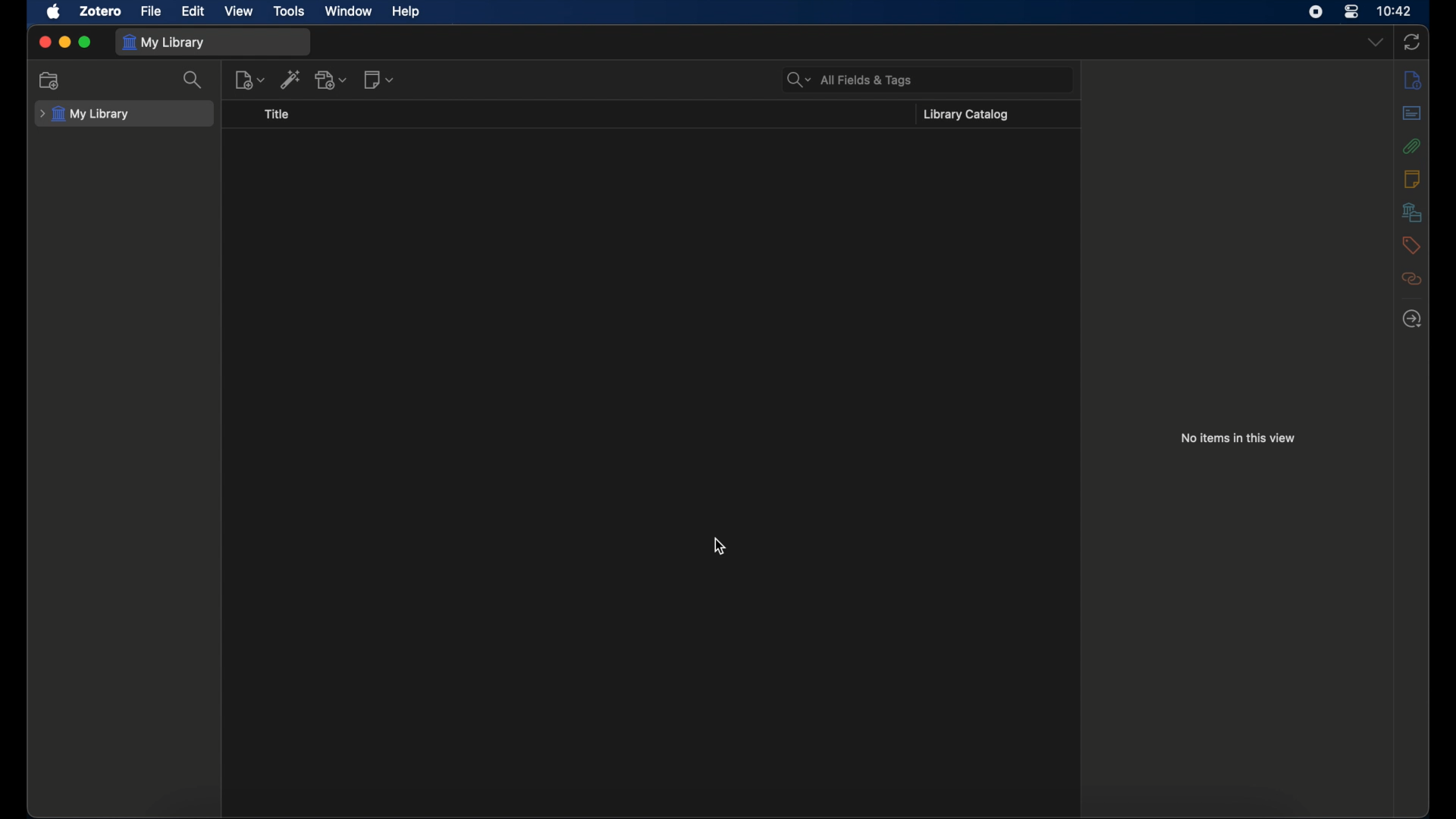 This screenshot has height=819, width=1456. What do you see at coordinates (194, 80) in the screenshot?
I see `search` at bounding box center [194, 80].